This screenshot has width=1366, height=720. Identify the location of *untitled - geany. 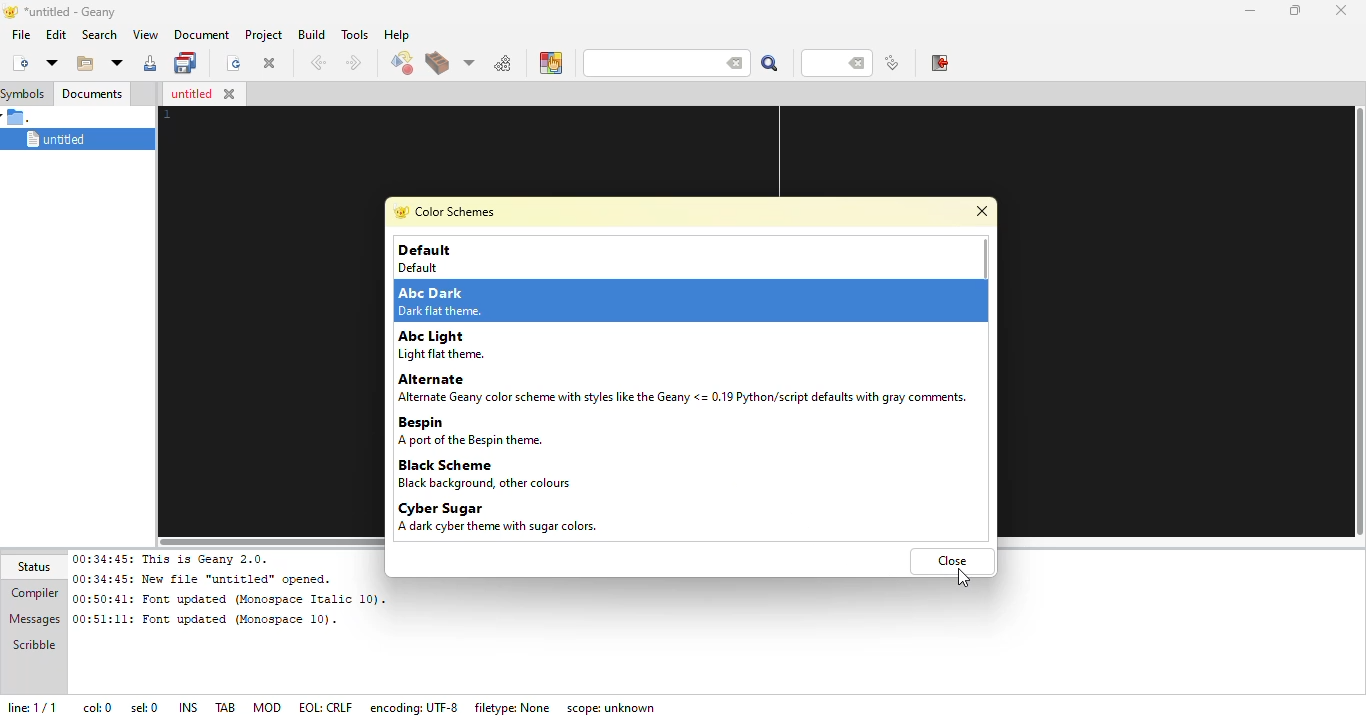
(80, 12).